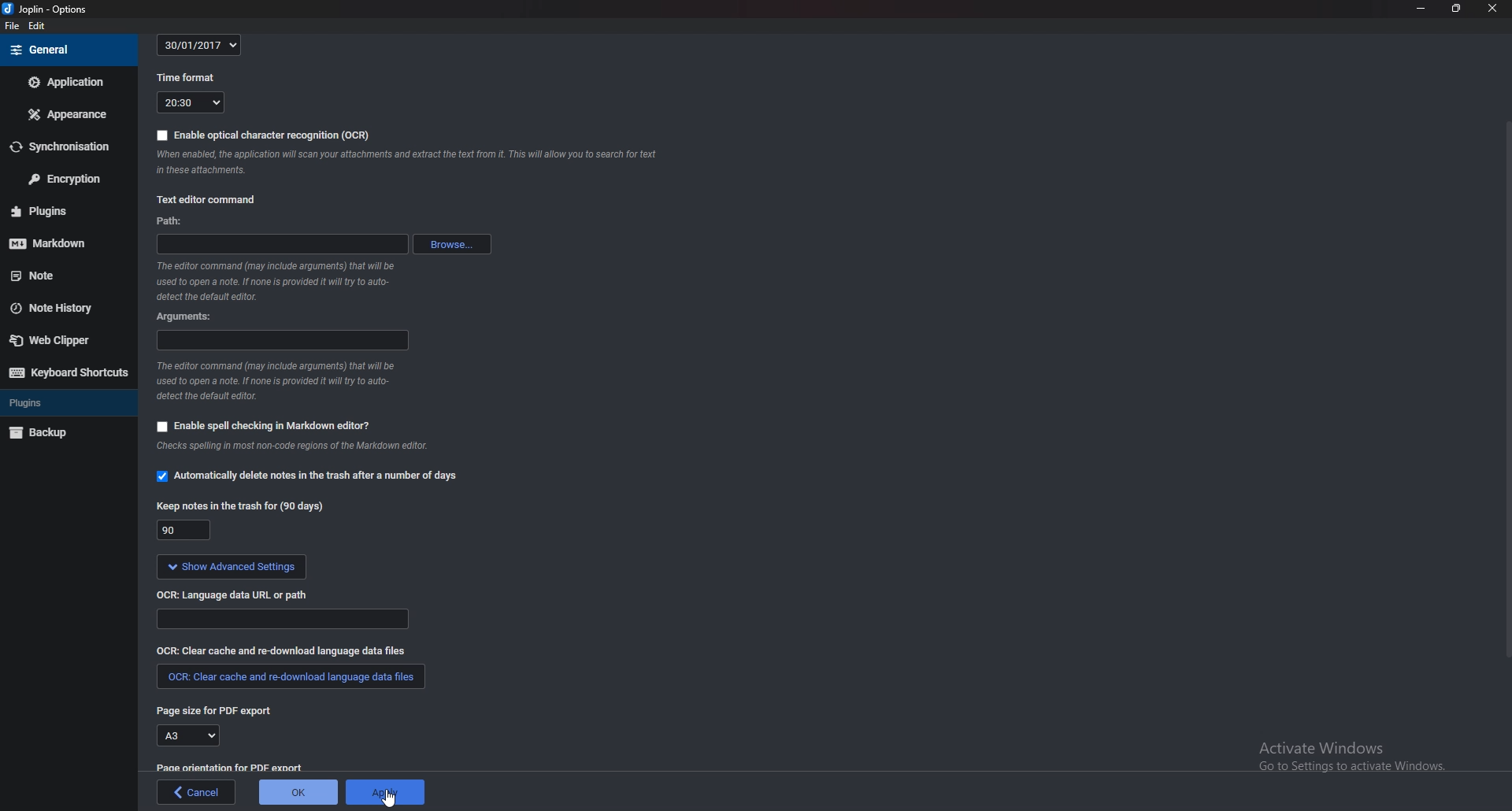  Describe the element at coordinates (299, 791) in the screenshot. I see `ok` at that location.